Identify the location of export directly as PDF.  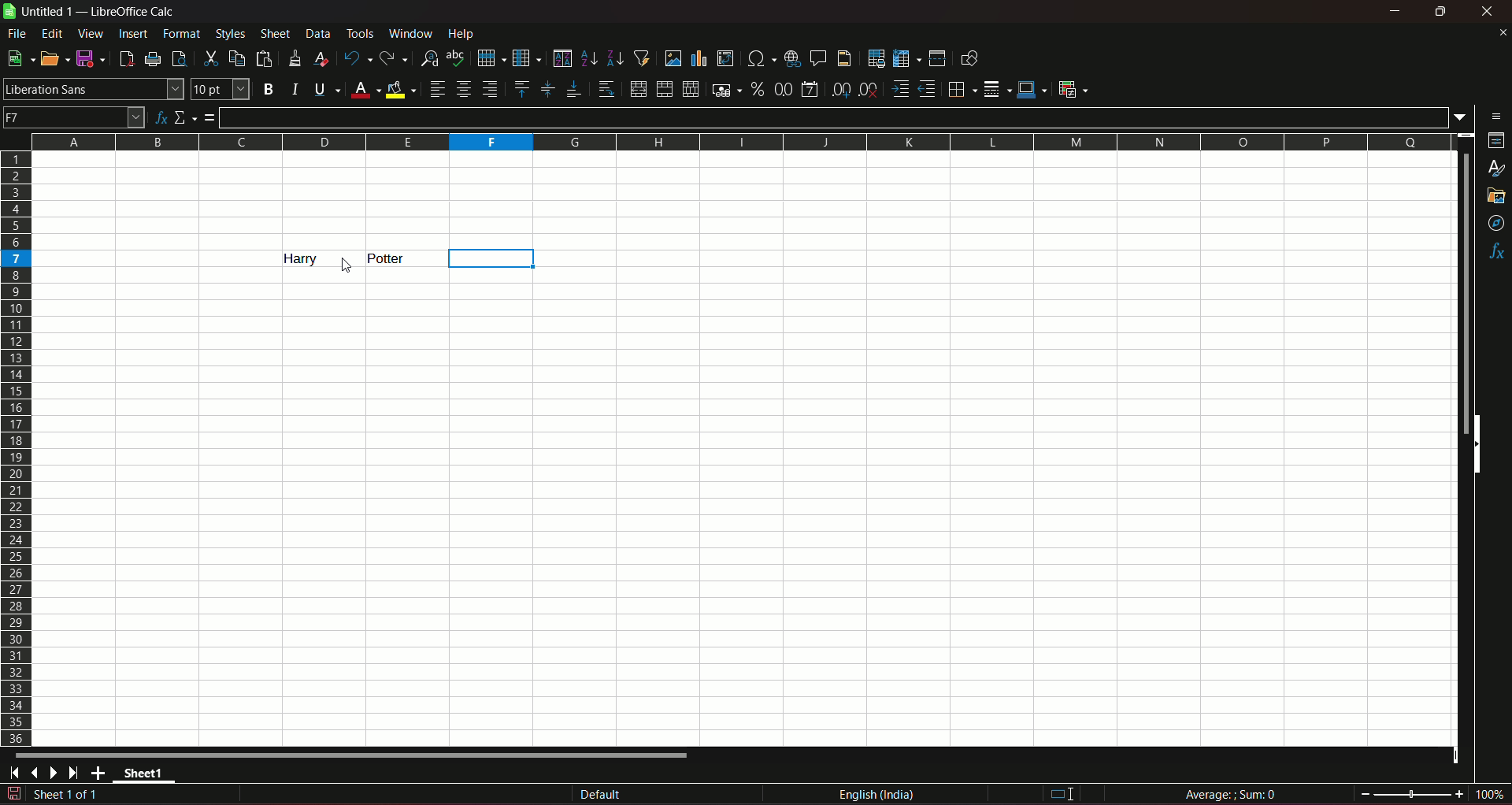
(125, 57).